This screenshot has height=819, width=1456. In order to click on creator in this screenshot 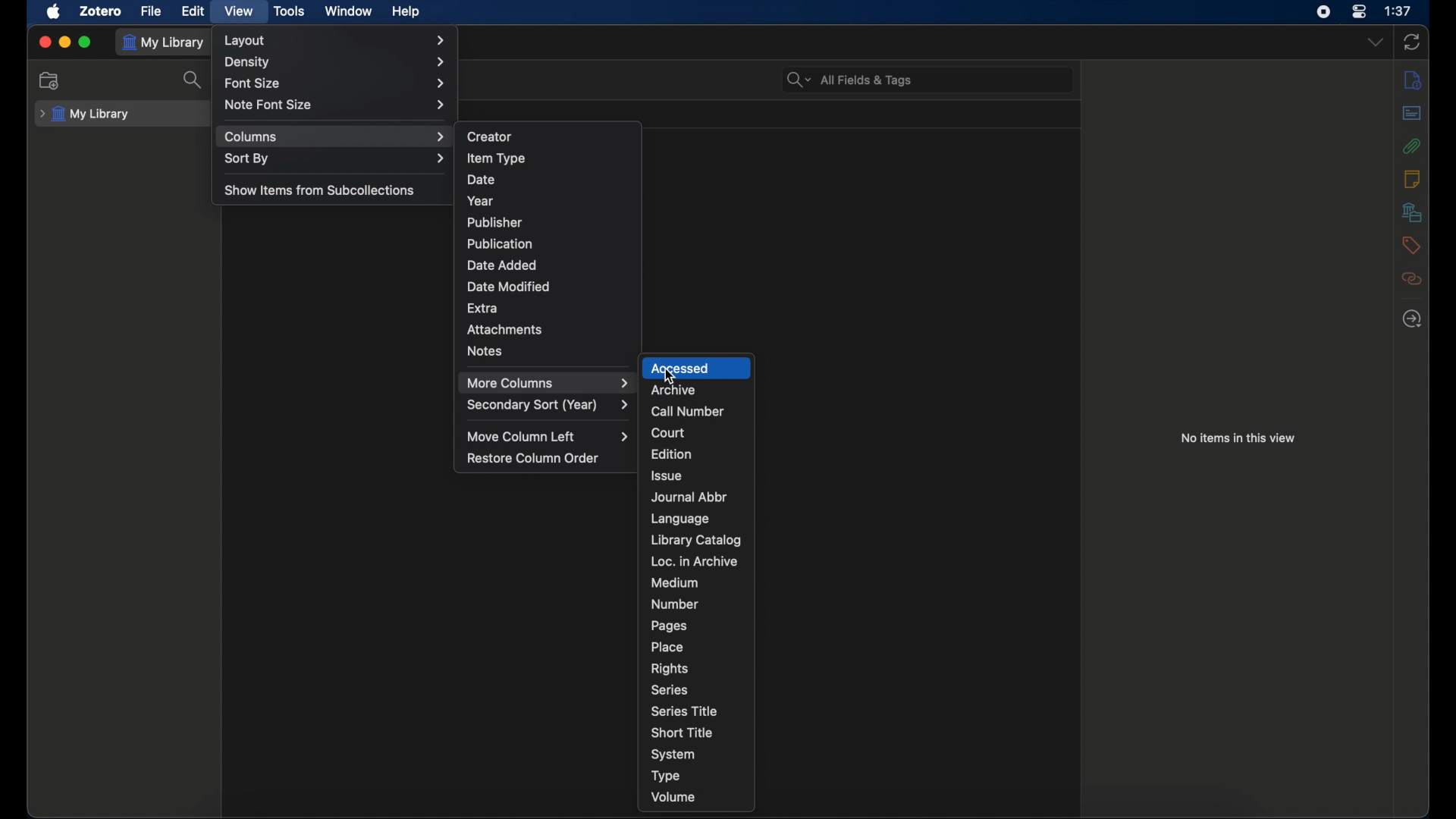, I will do `click(491, 135)`.